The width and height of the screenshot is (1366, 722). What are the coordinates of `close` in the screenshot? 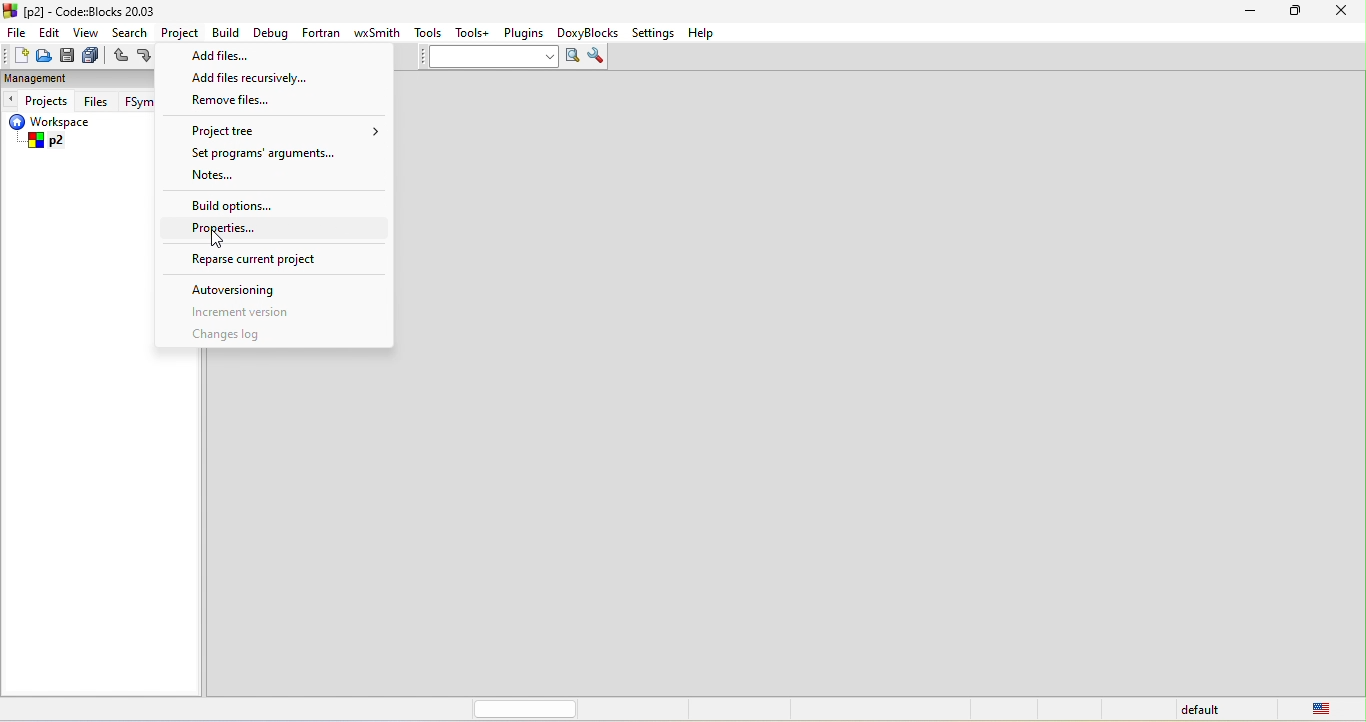 It's located at (1341, 15).